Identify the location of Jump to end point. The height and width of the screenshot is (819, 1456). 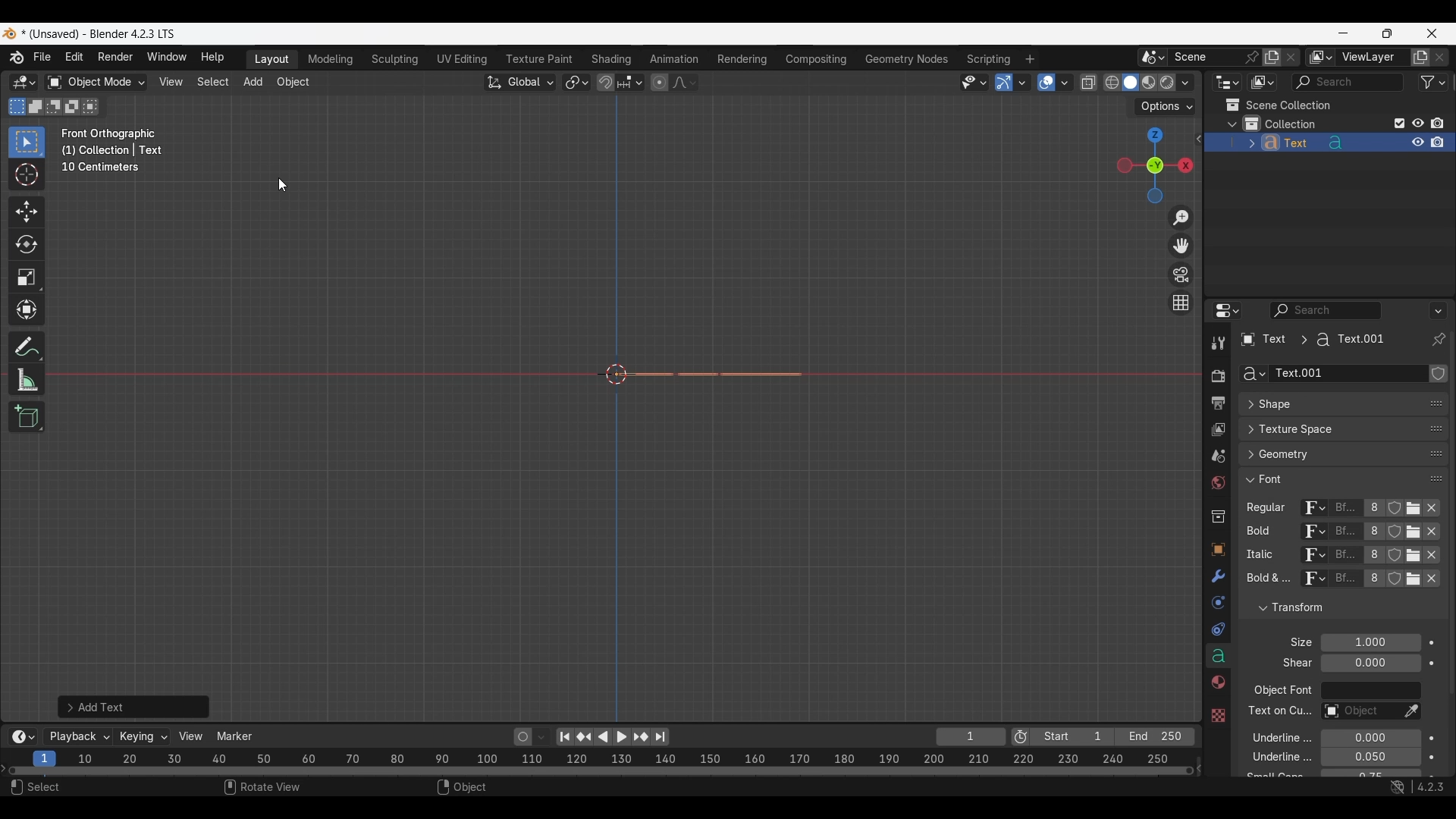
(661, 737).